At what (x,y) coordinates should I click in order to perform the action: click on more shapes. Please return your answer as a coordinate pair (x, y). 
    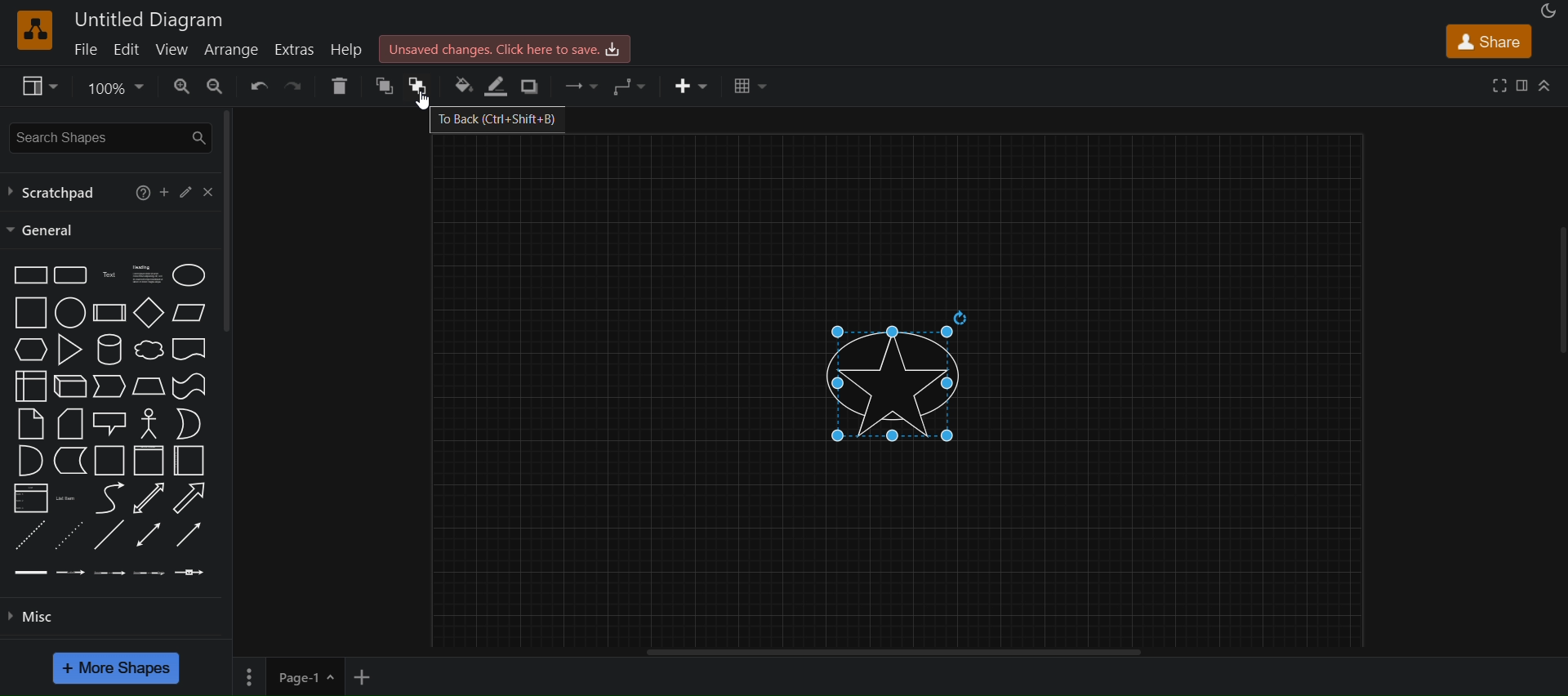
    Looking at the image, I should click on (115, 669).